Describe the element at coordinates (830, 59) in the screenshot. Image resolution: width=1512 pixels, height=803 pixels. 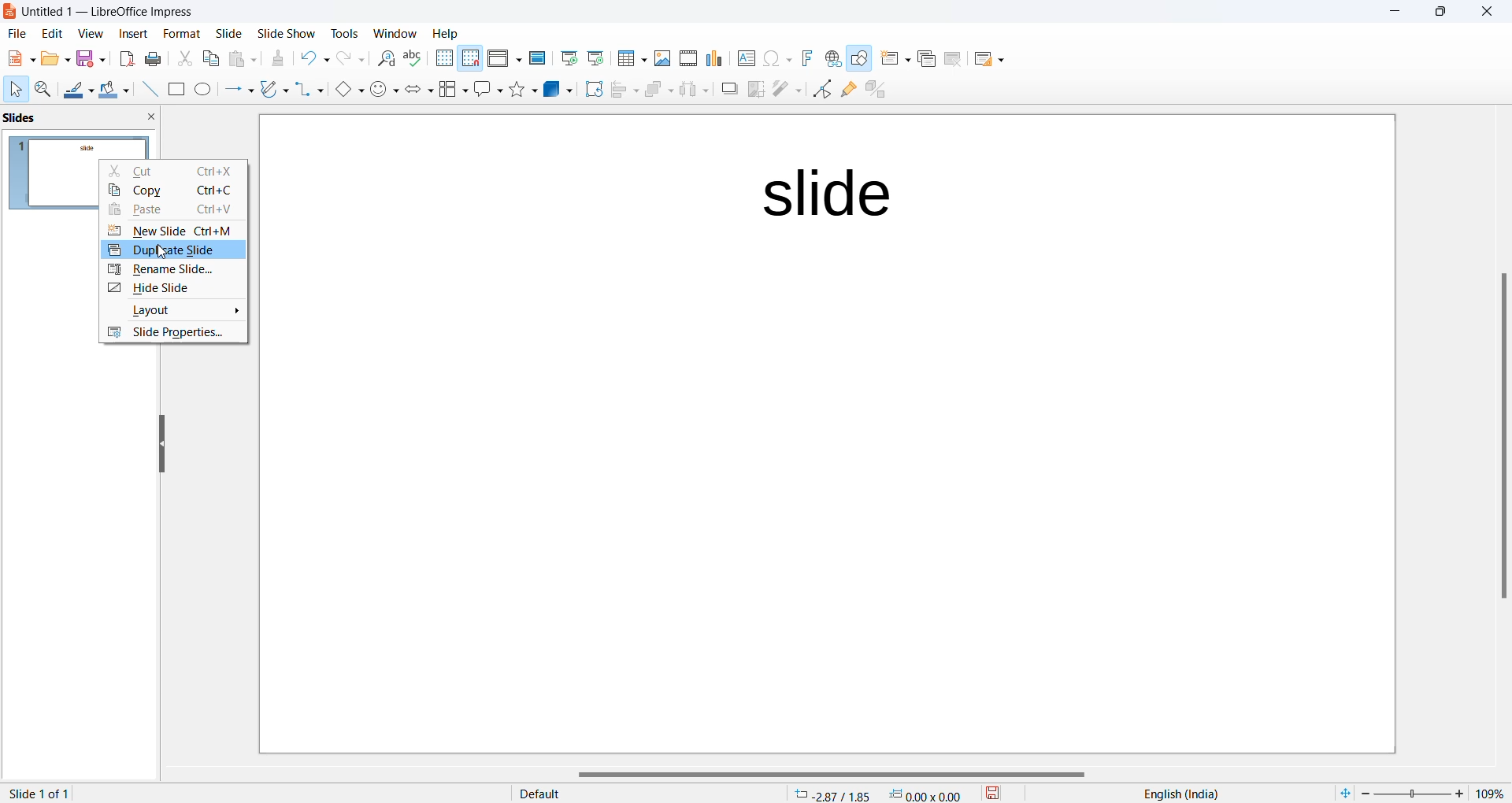
I see `Insert hyperlink` at that location.